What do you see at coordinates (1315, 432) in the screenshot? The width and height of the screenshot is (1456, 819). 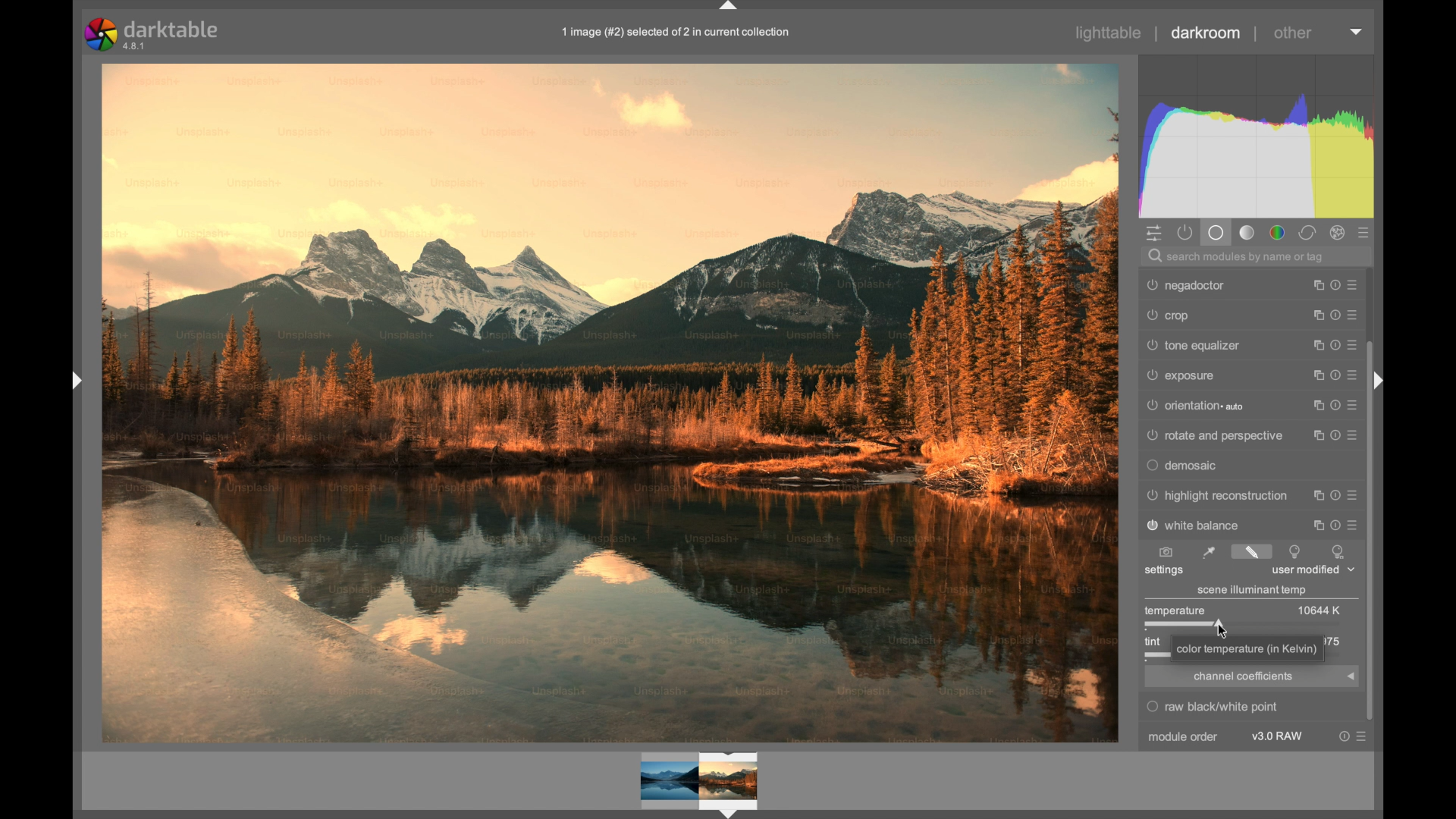 I see `instance` at bounding box center [1315, 432].